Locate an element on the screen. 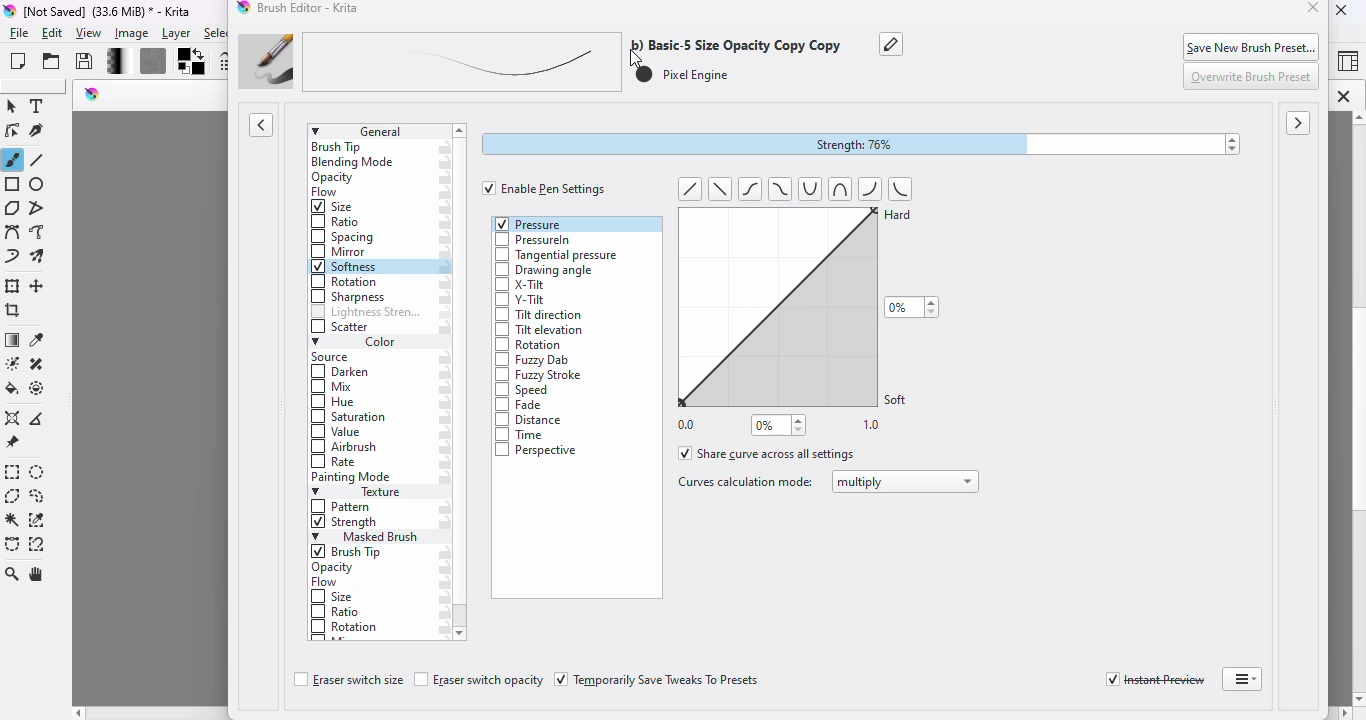 The image size is (1366, 720). measure the distance between two points is located at coordinates (40, 417).